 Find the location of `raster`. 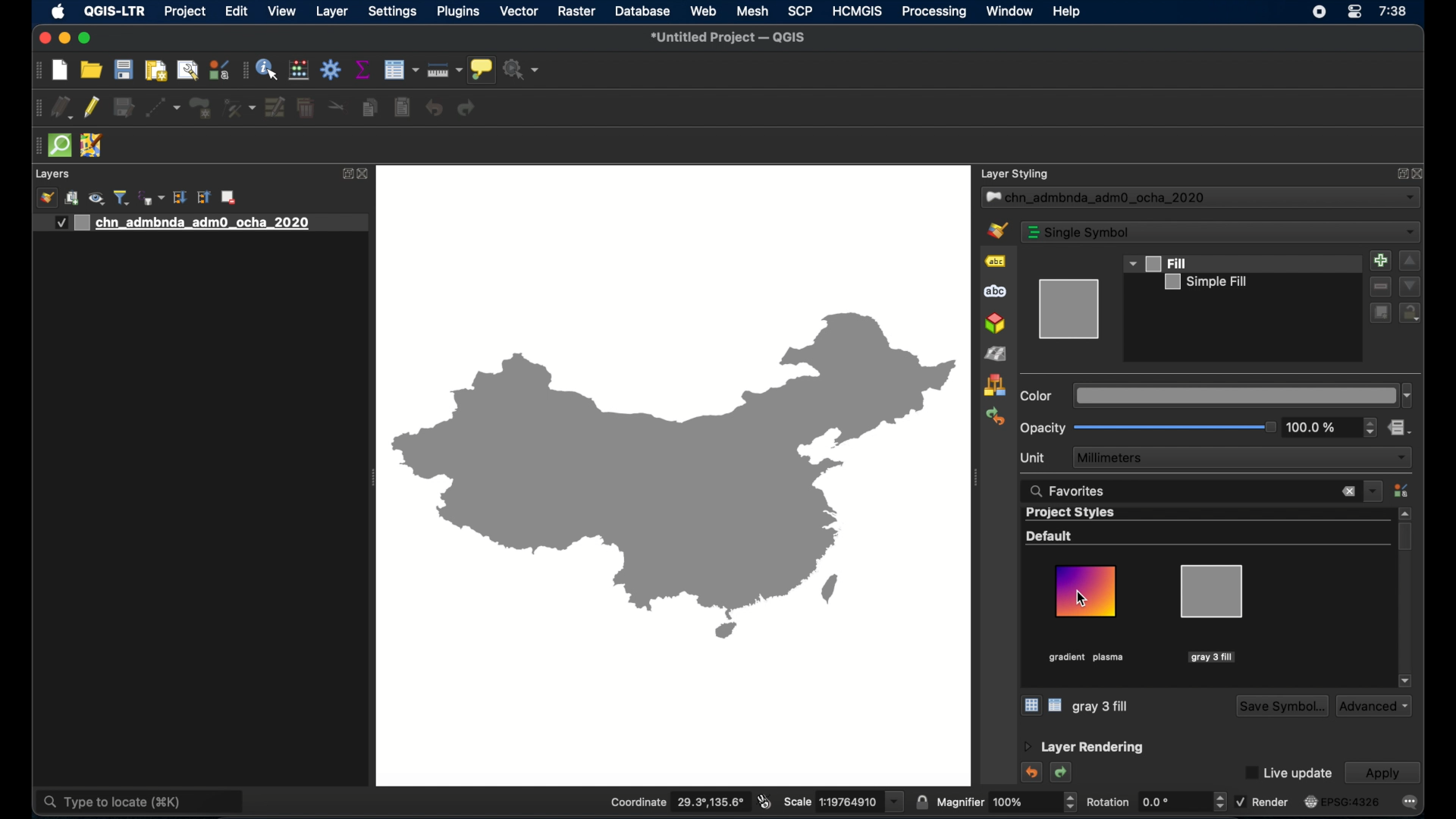

raster is located at coordinates (577, 11).